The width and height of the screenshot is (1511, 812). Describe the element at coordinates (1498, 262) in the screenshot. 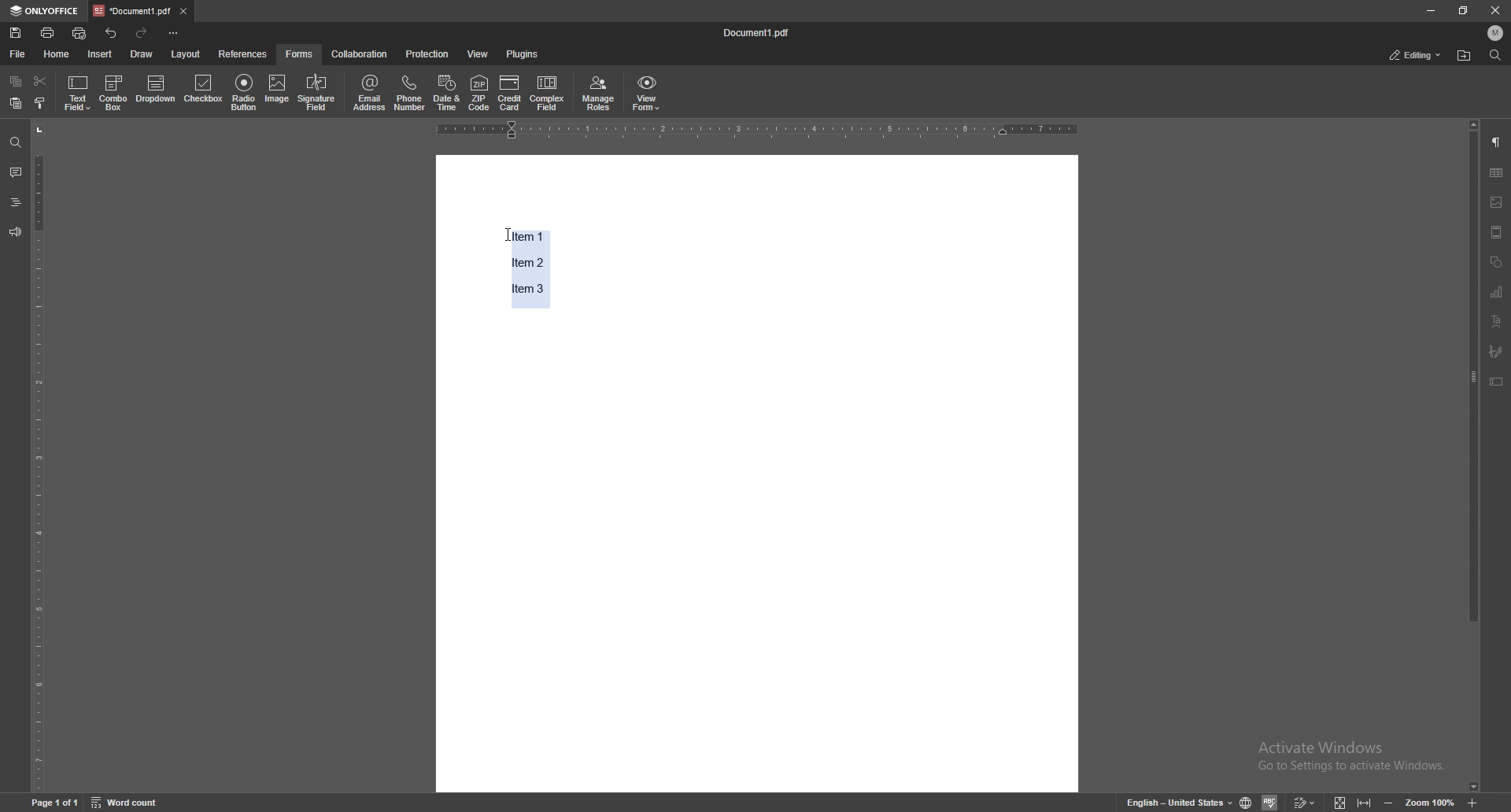

I see `shapes` at that location.